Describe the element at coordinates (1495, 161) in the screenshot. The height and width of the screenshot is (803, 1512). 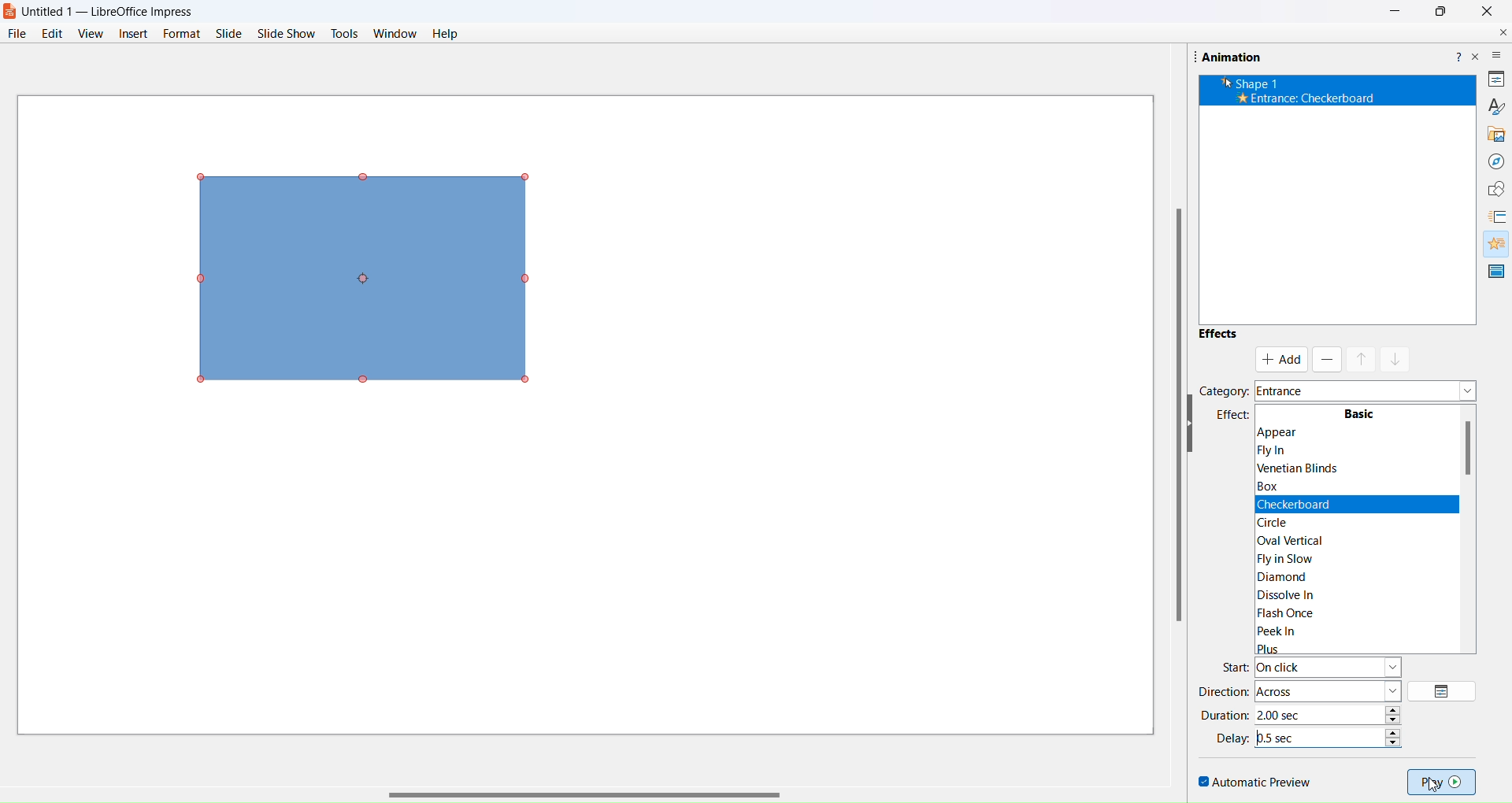
I see `navigator` at that location.